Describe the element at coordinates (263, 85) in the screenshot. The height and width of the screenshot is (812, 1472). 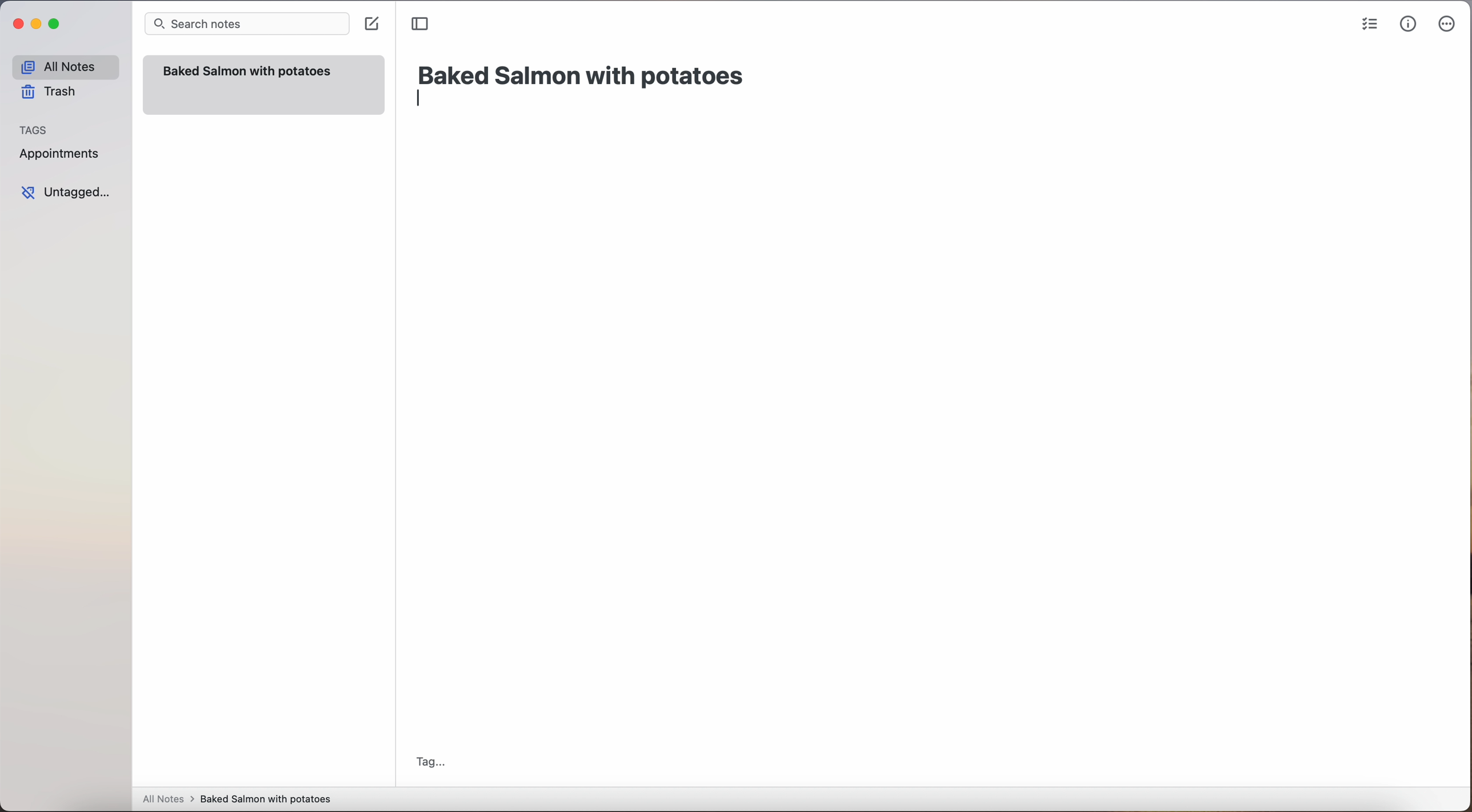
I see `Baked Salmon with potatoes note` at that location.